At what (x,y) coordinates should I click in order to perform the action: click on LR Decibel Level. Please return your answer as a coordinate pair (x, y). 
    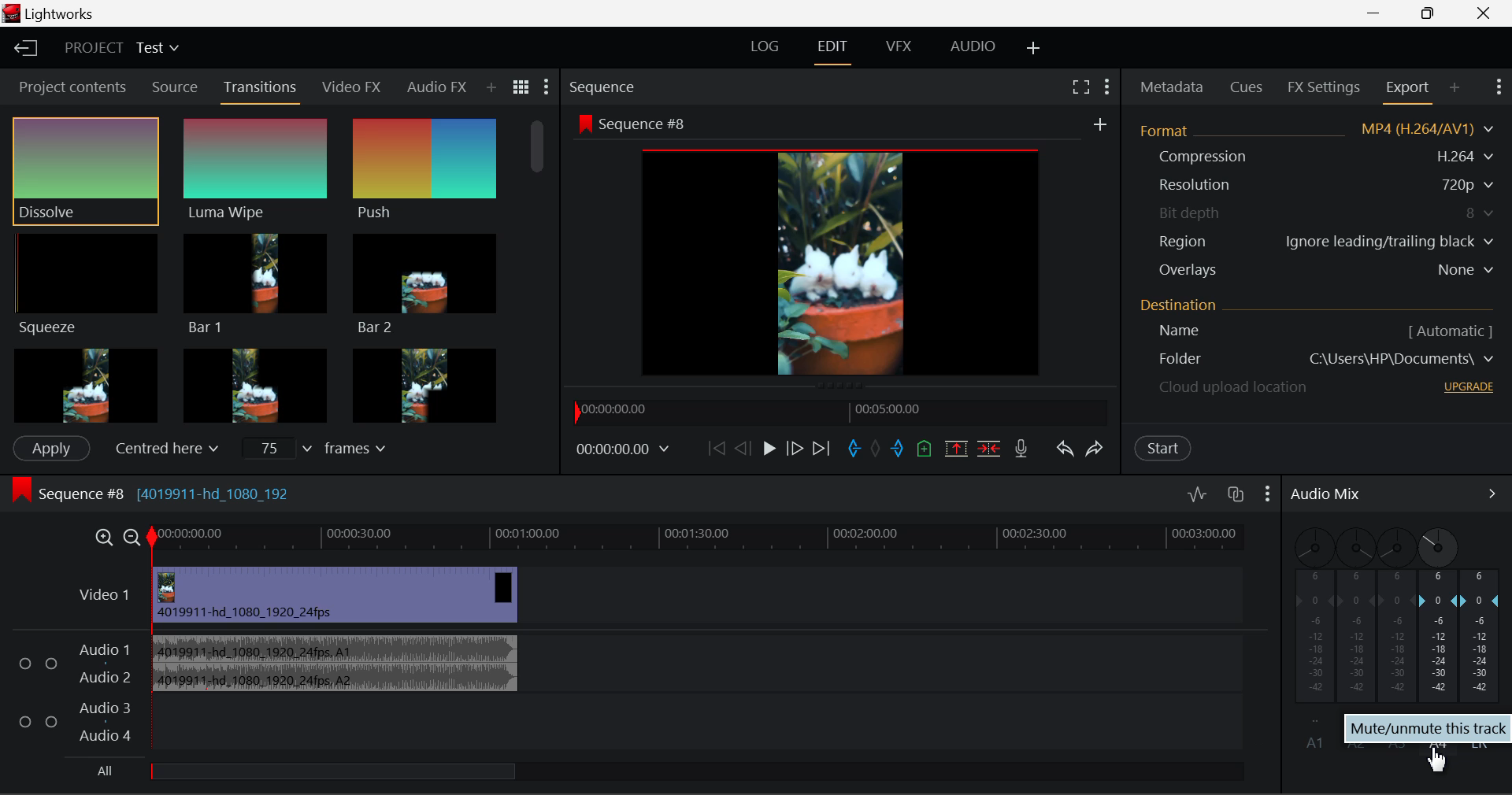
    Looking at the image, I should click on (1488, 638).